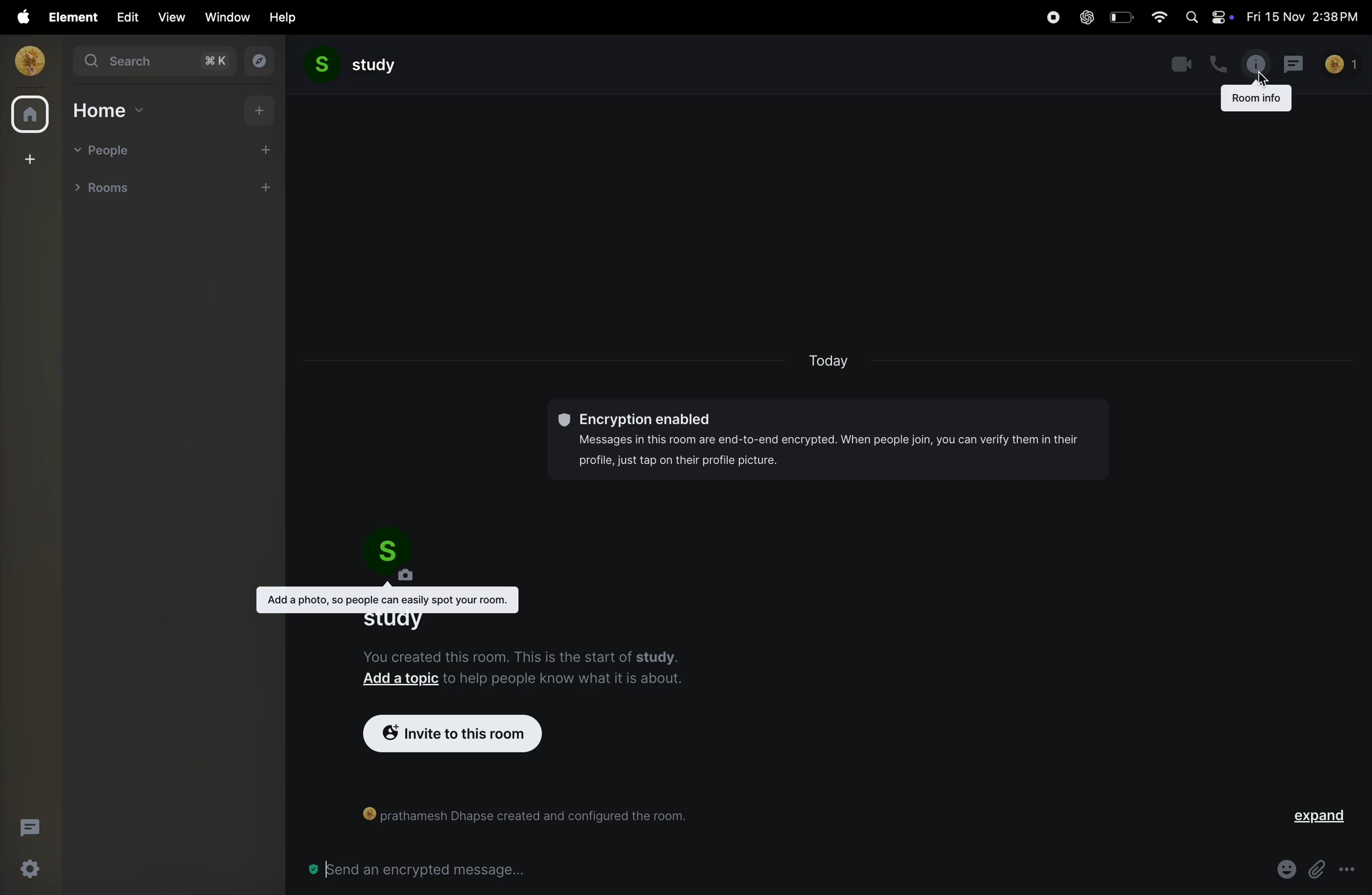 The height and width of the screenshot is (895, 1372). I want to click on video call, so click(1181, 63).